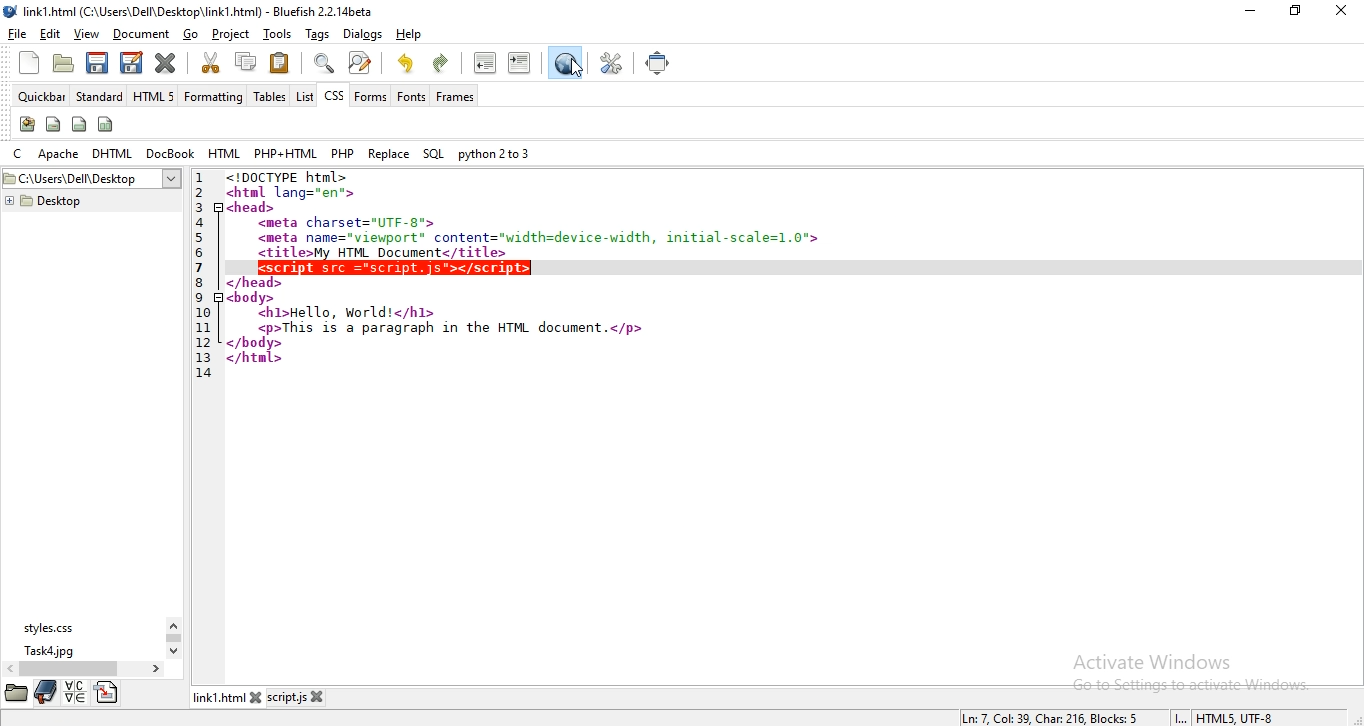  Describe the element at coordinates (199, 222) in the screenshot. I see `4` at that location.